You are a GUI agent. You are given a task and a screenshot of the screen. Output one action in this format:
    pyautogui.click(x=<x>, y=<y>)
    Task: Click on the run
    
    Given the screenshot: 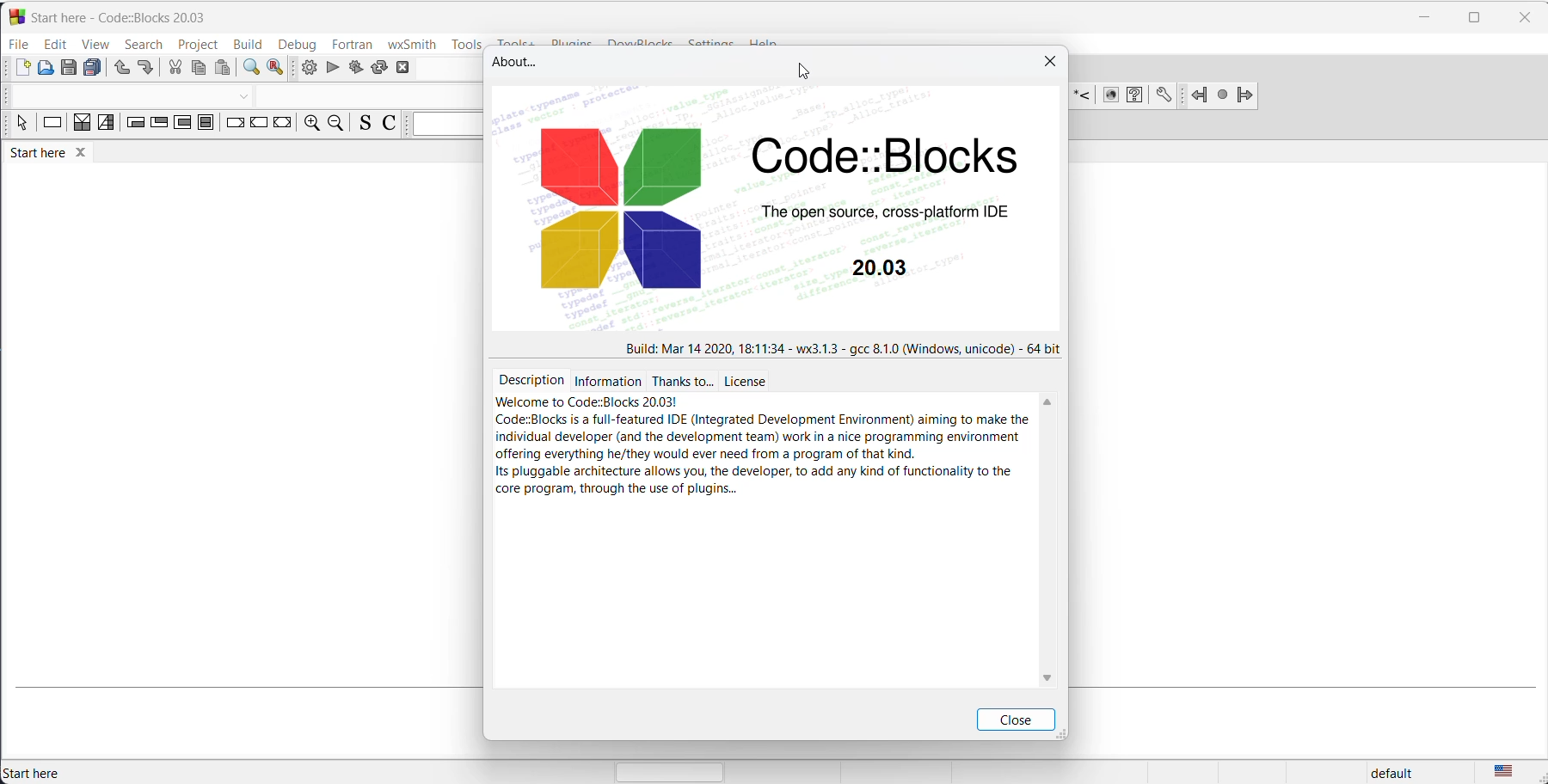 What is the action you would take?
    pyautogui.click(x=329, y=70)
    